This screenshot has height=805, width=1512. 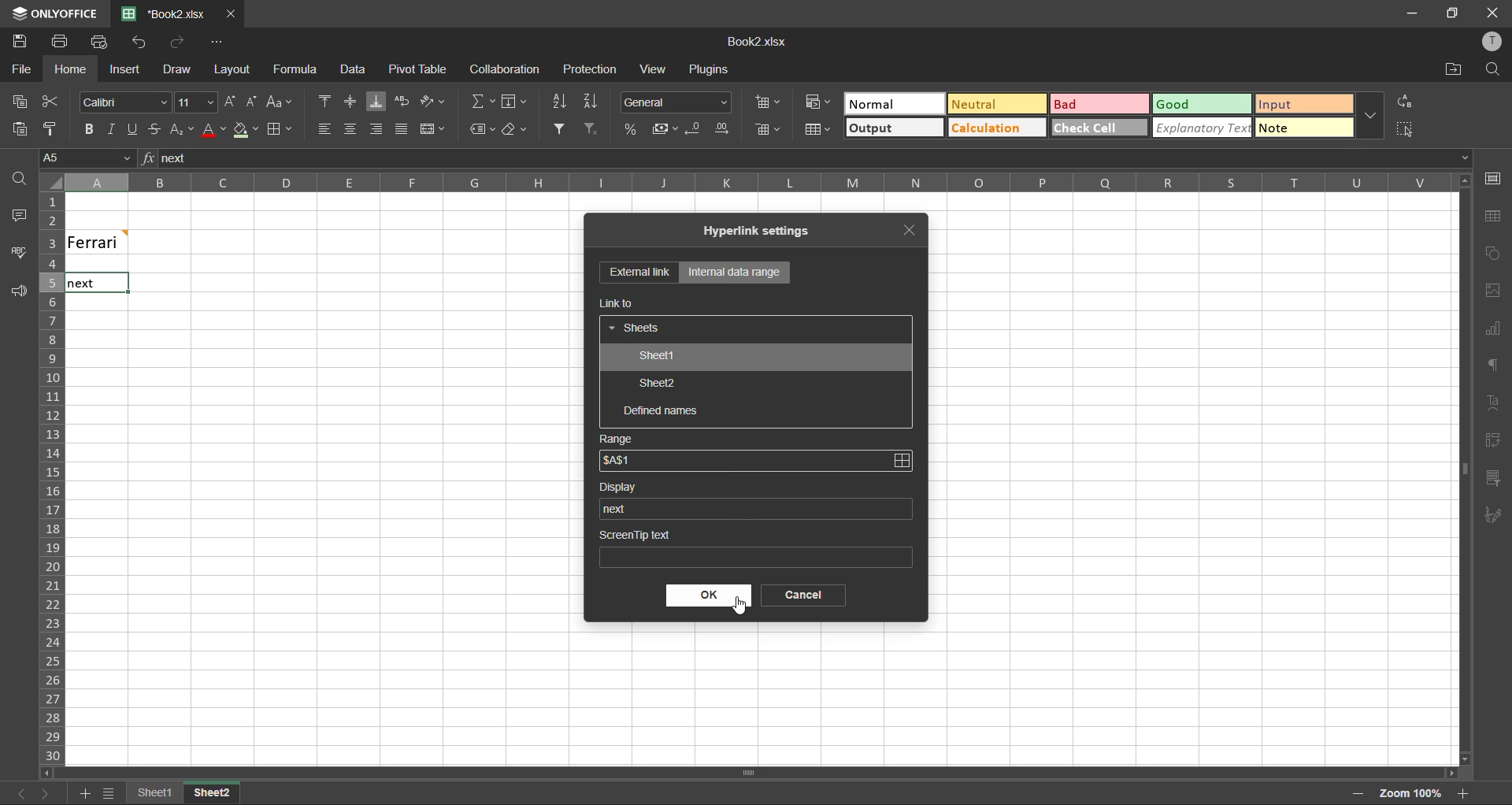 What do you see at coordinates (24, 254) in the screenshot?
I see `spellcheck` at bounding box center [24, 254].